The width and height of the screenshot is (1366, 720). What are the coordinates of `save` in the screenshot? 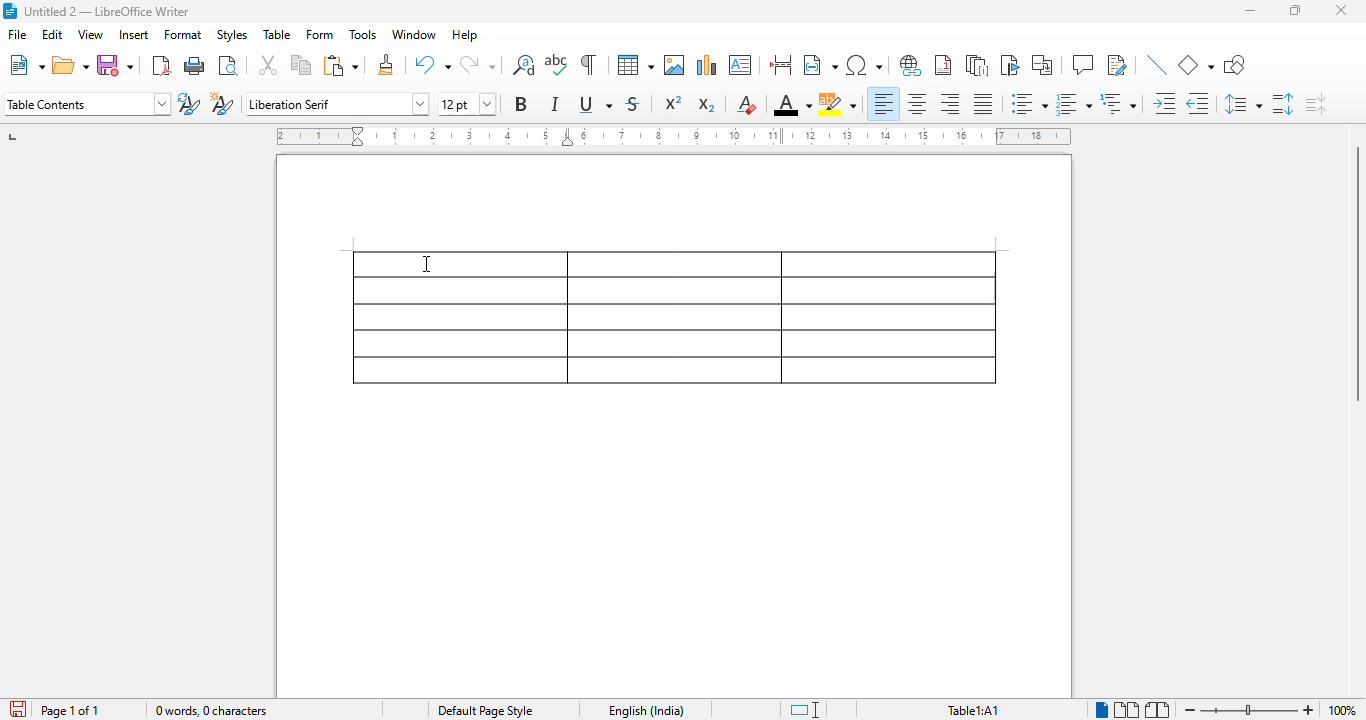 It's located at (114, 65).